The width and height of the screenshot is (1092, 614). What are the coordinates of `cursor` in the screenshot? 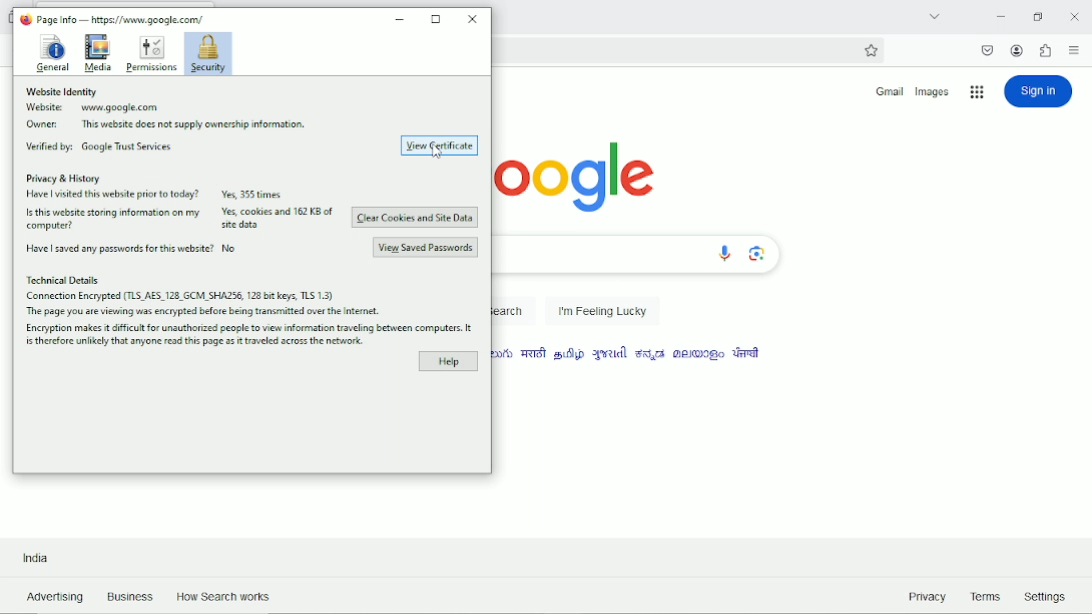 It's located at (435, 155).